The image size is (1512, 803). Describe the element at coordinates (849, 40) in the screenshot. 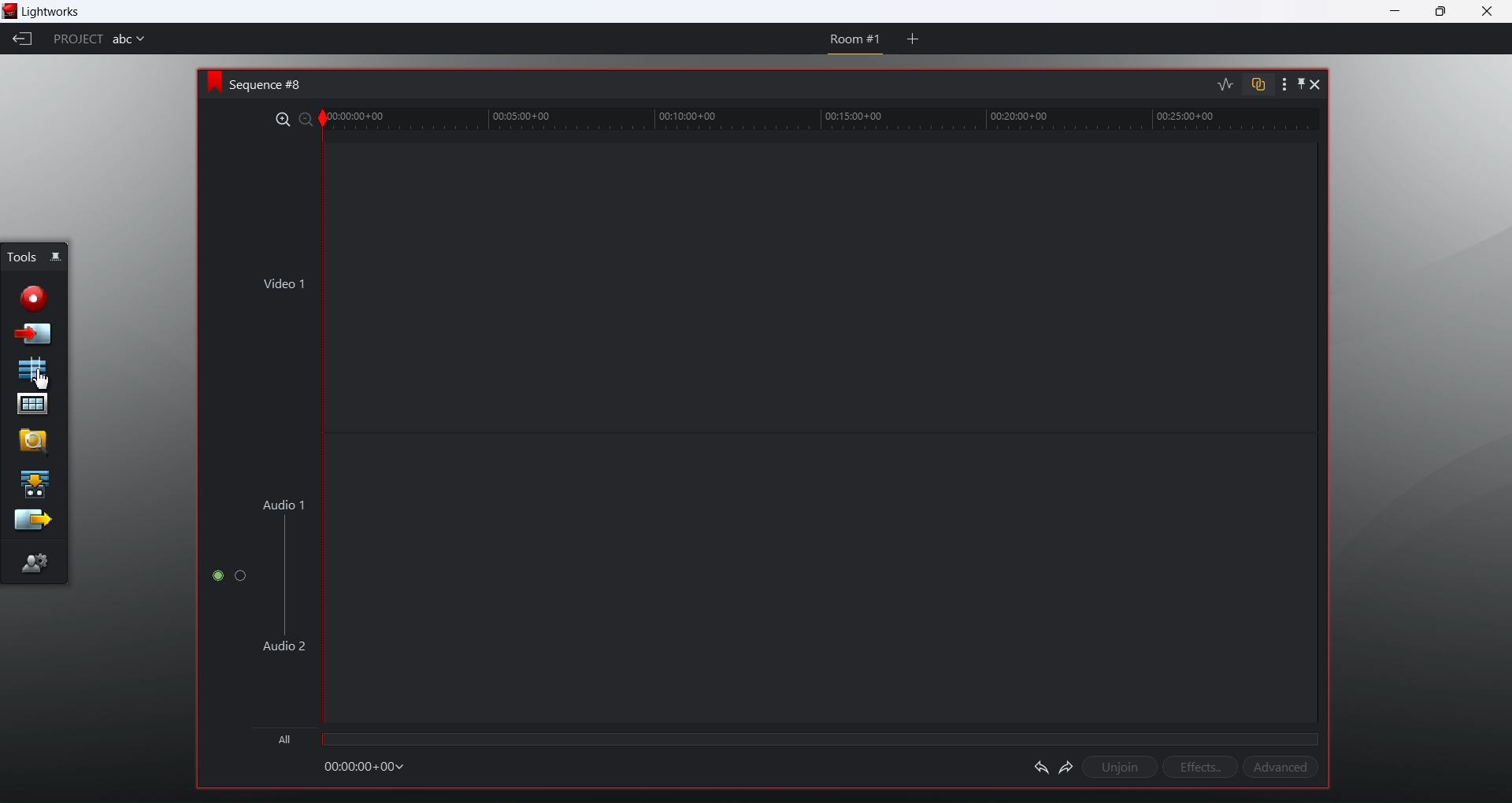

I see `room 1` at that location.